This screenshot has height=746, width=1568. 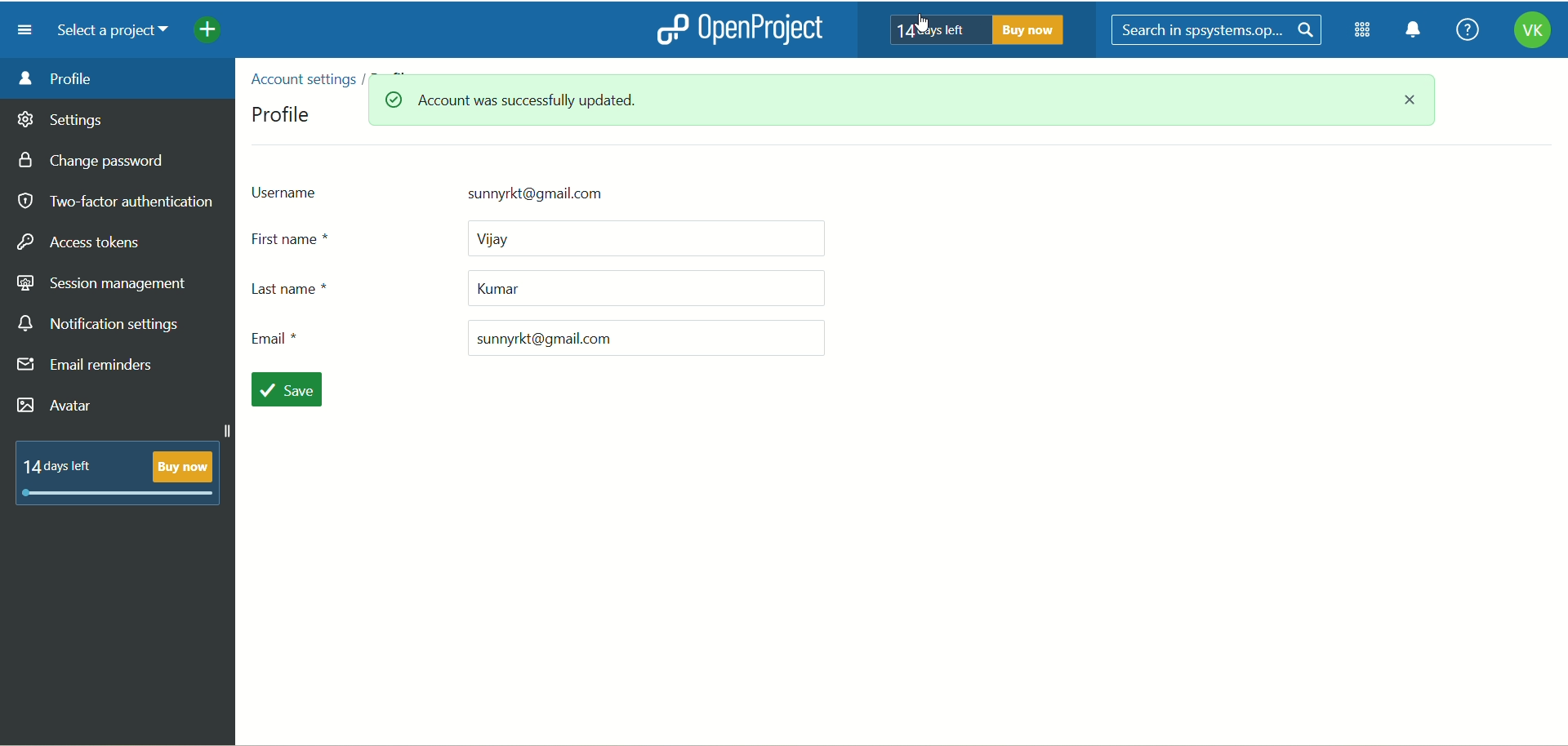 What do you see at coordinates (510, 191) in the screenshot?
I see `ussername` at bounding box center [510, 191].